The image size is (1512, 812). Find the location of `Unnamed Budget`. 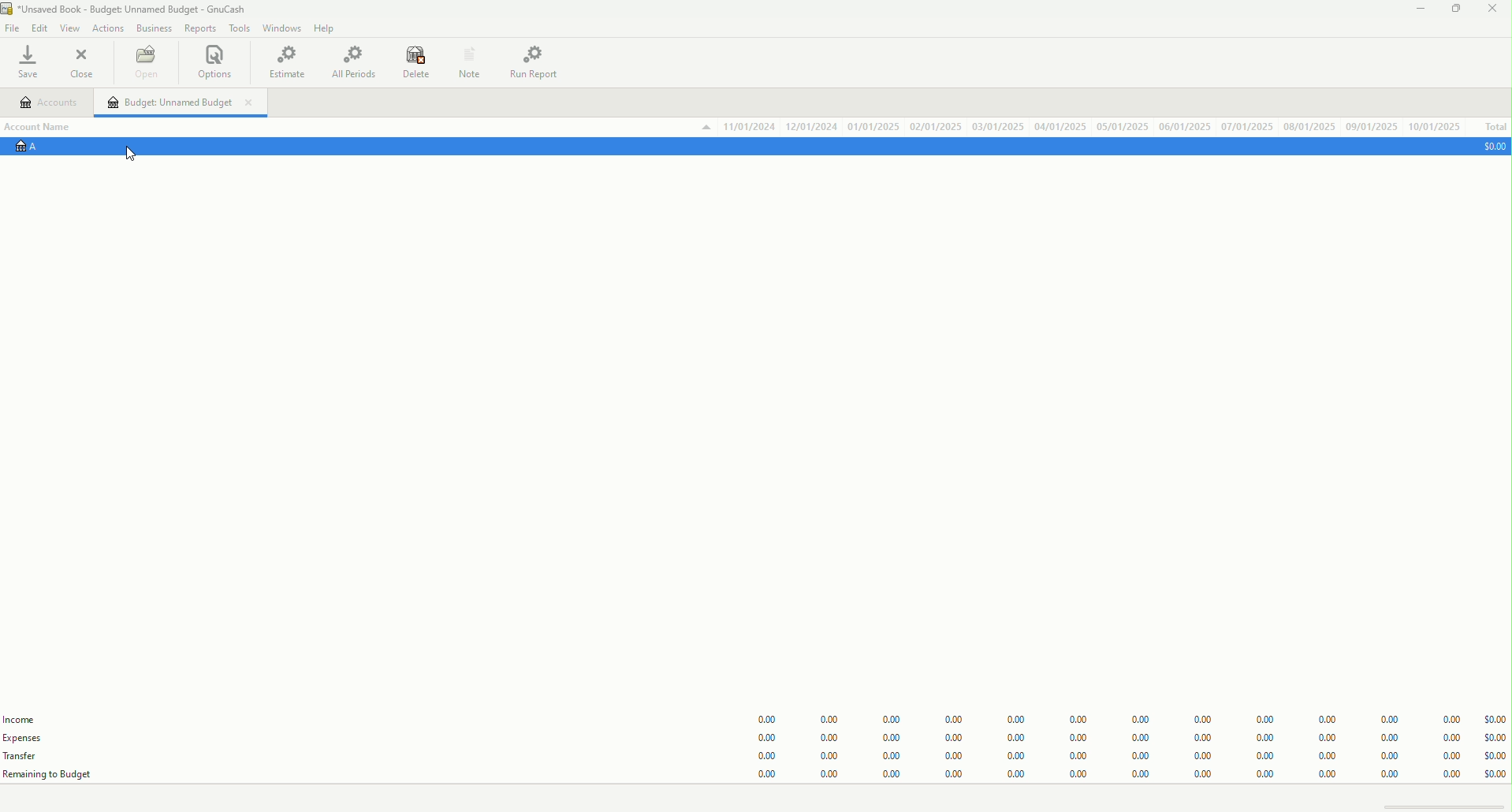

Unnamed Budget is located at coordinates (179, 102).